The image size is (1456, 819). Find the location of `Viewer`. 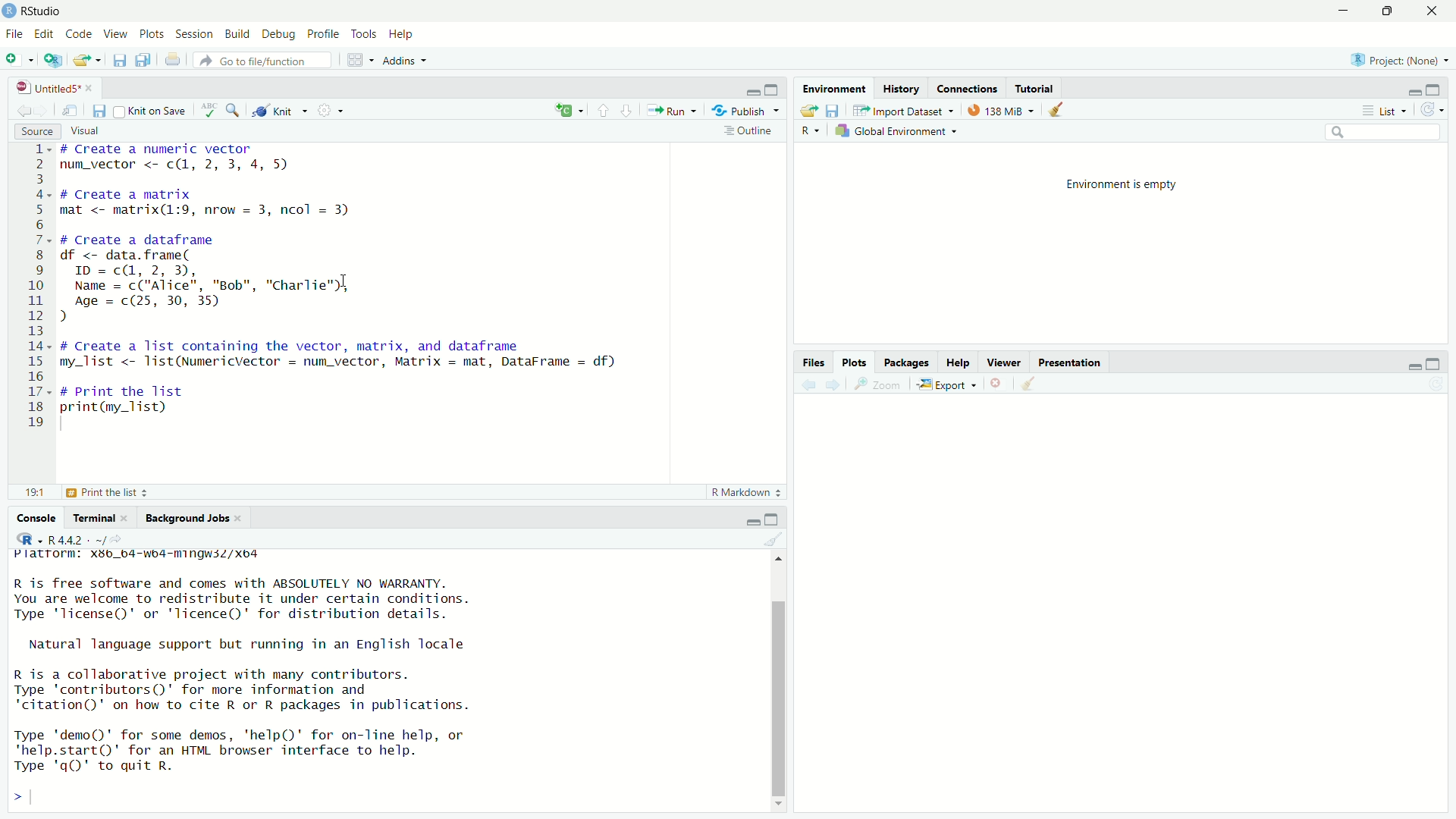

Viewer is located at coordinates (1005, 362).